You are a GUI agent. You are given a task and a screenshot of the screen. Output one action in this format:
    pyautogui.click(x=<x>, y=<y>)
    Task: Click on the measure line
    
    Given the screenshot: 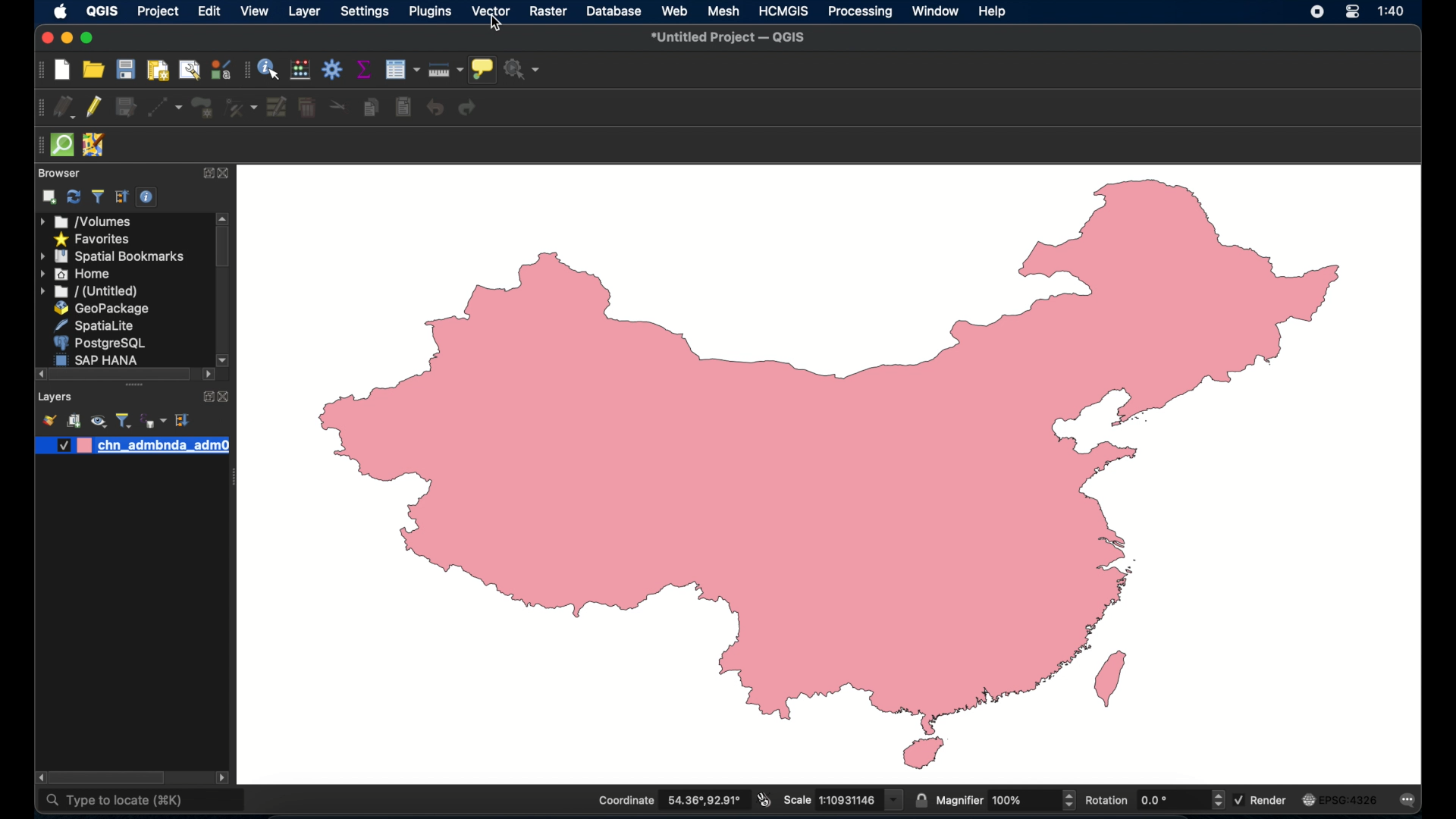 What is the action you would take?
    pyautogui.click(x=445, y=69)
    